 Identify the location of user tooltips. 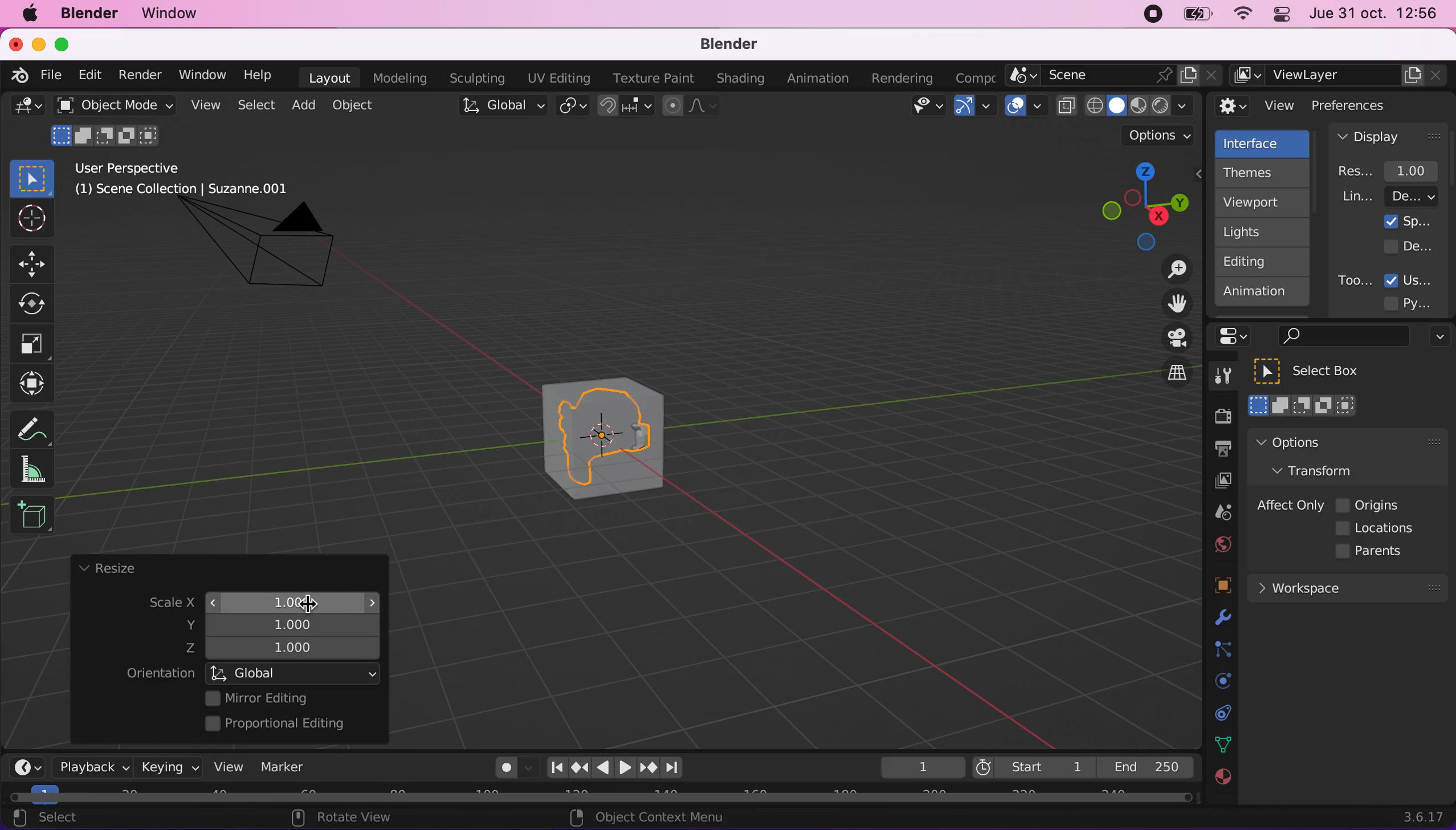
(1418, 279).